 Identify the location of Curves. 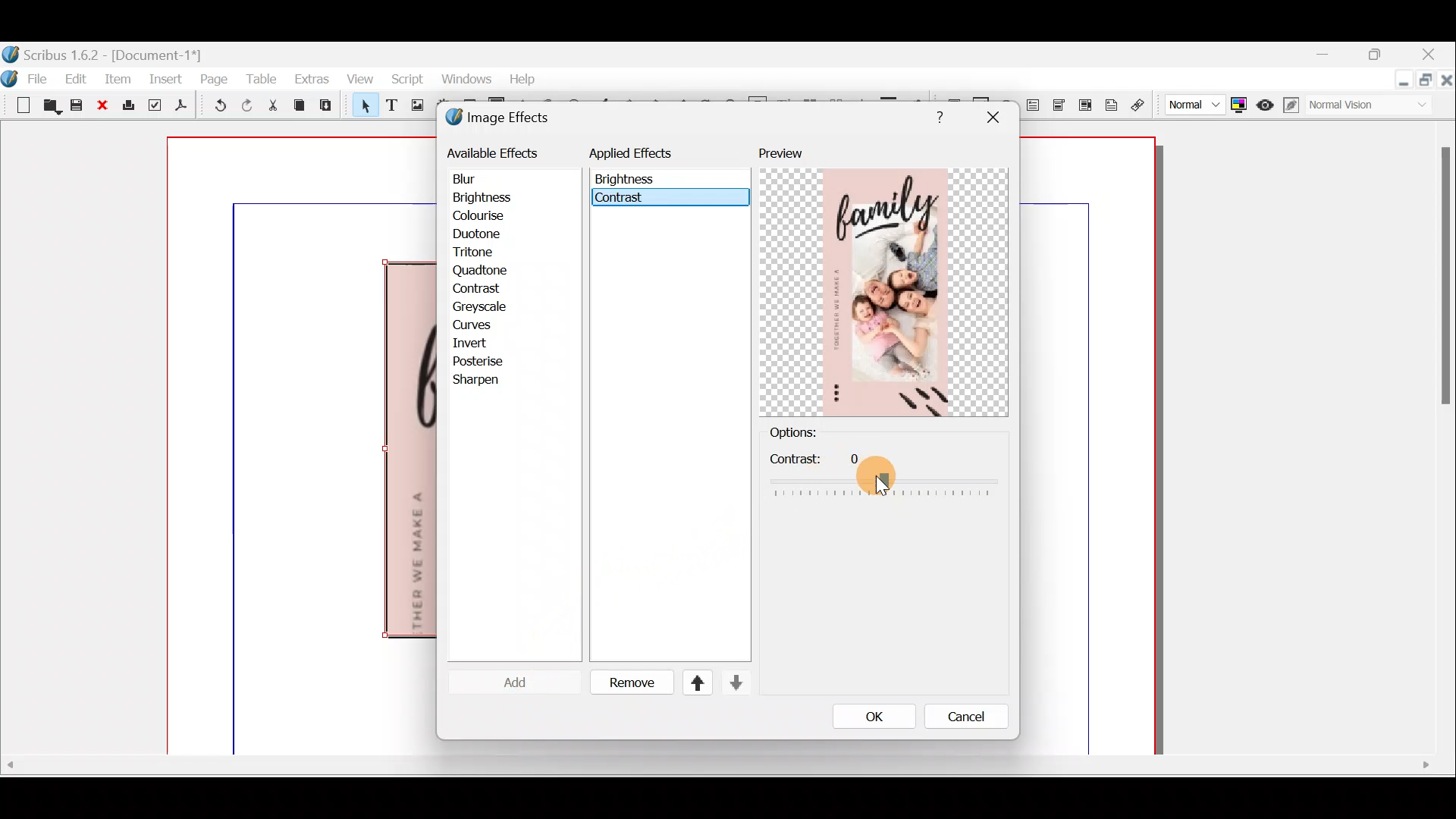
(483, 325).